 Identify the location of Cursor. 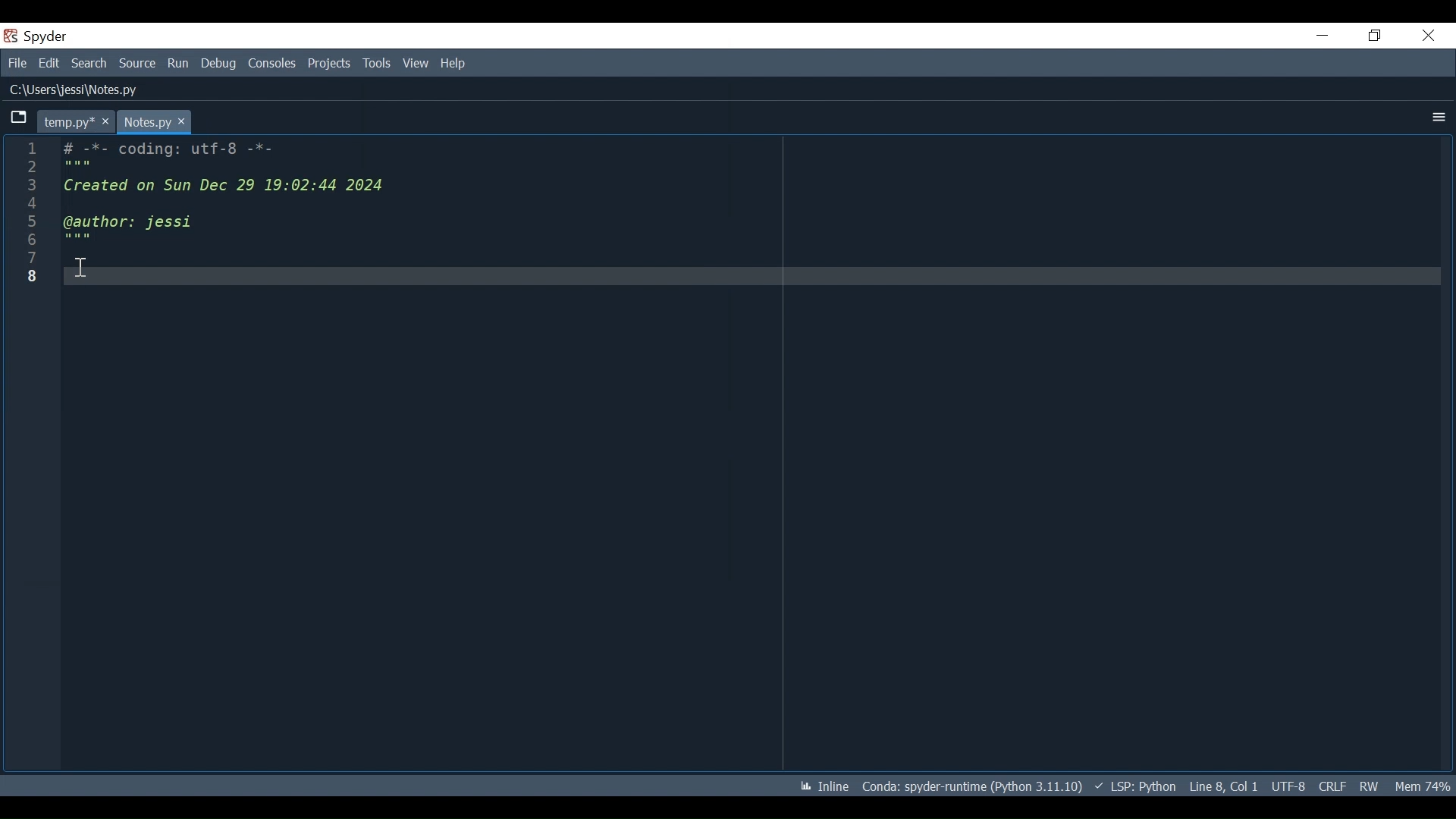
(80, 266).